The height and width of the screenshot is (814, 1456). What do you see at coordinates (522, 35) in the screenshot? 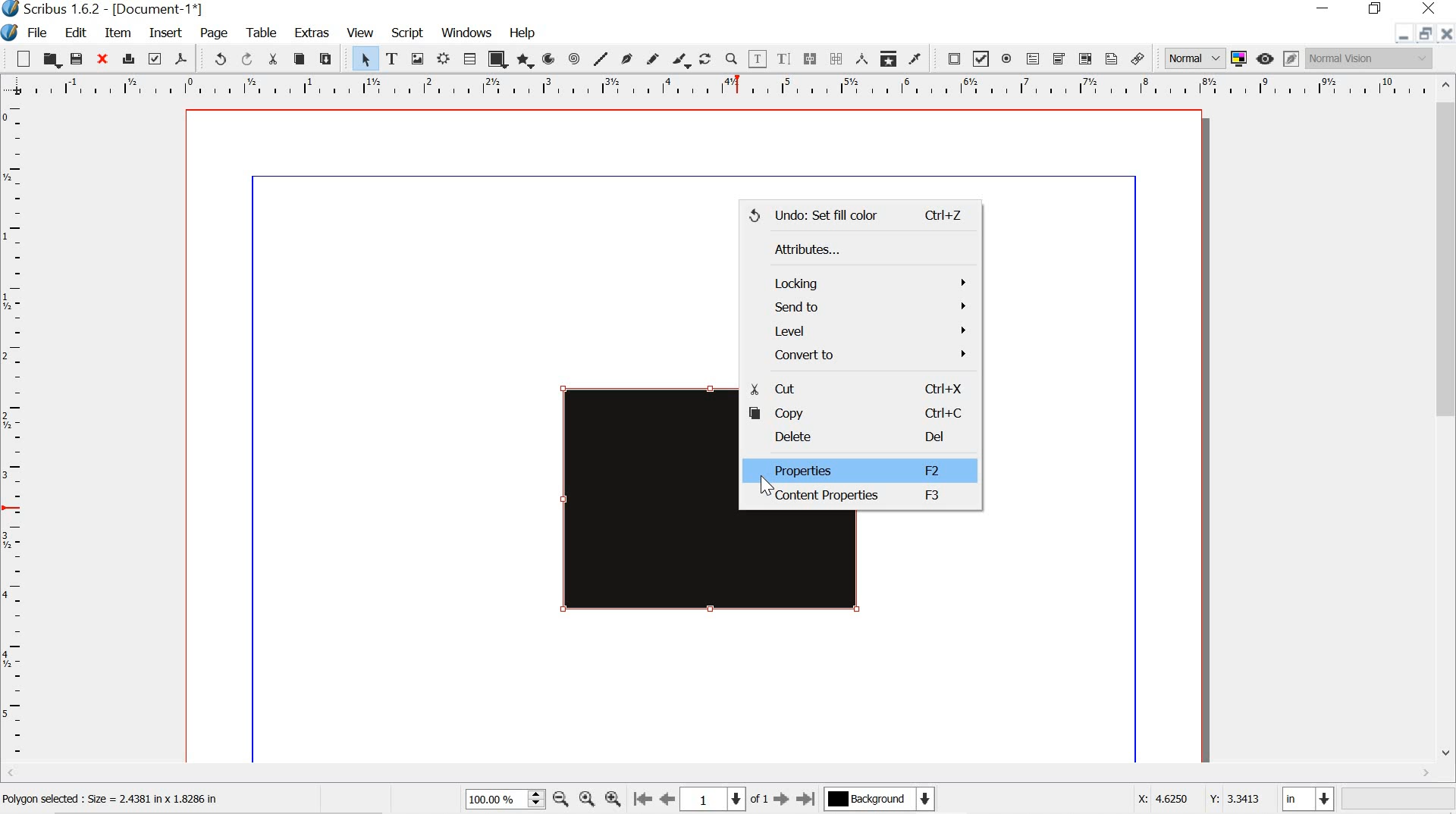
I see `help` at bounding box center [522, 35].